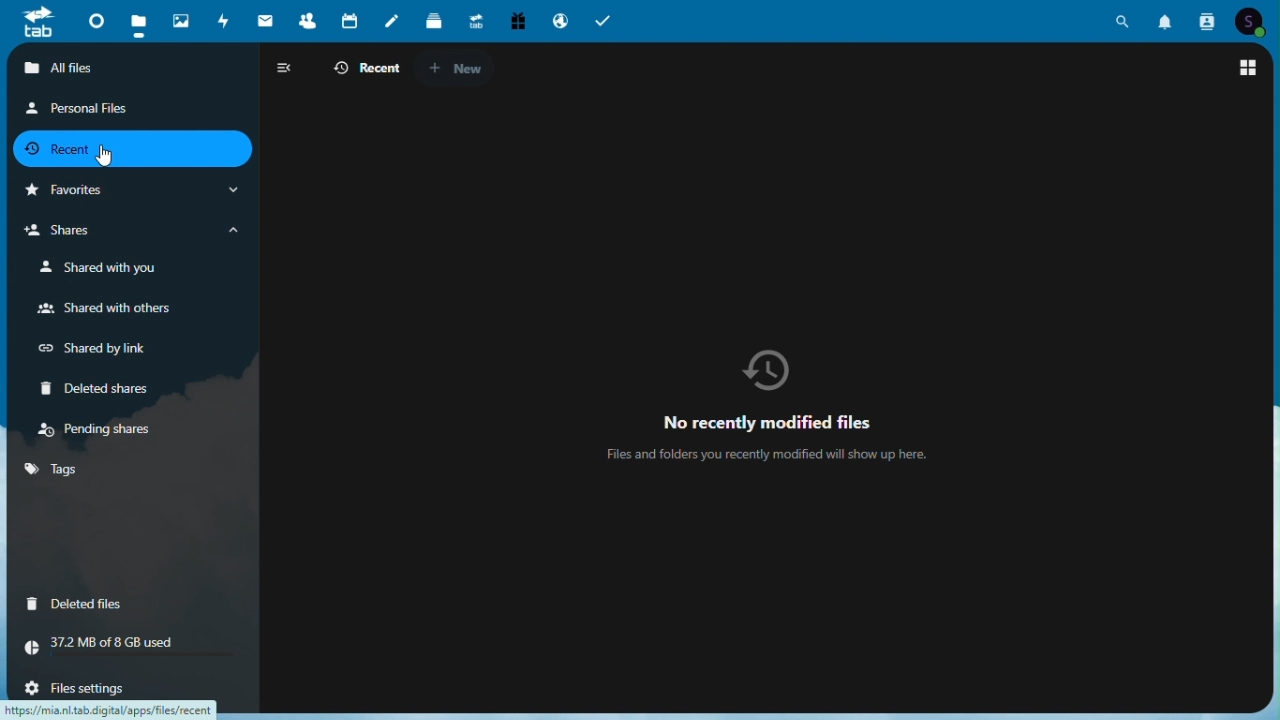 This screenshot has width=1280, height=720. Describe the element at coordinates (1251, 20) in the screenshot. I see `Account icon` at that location.